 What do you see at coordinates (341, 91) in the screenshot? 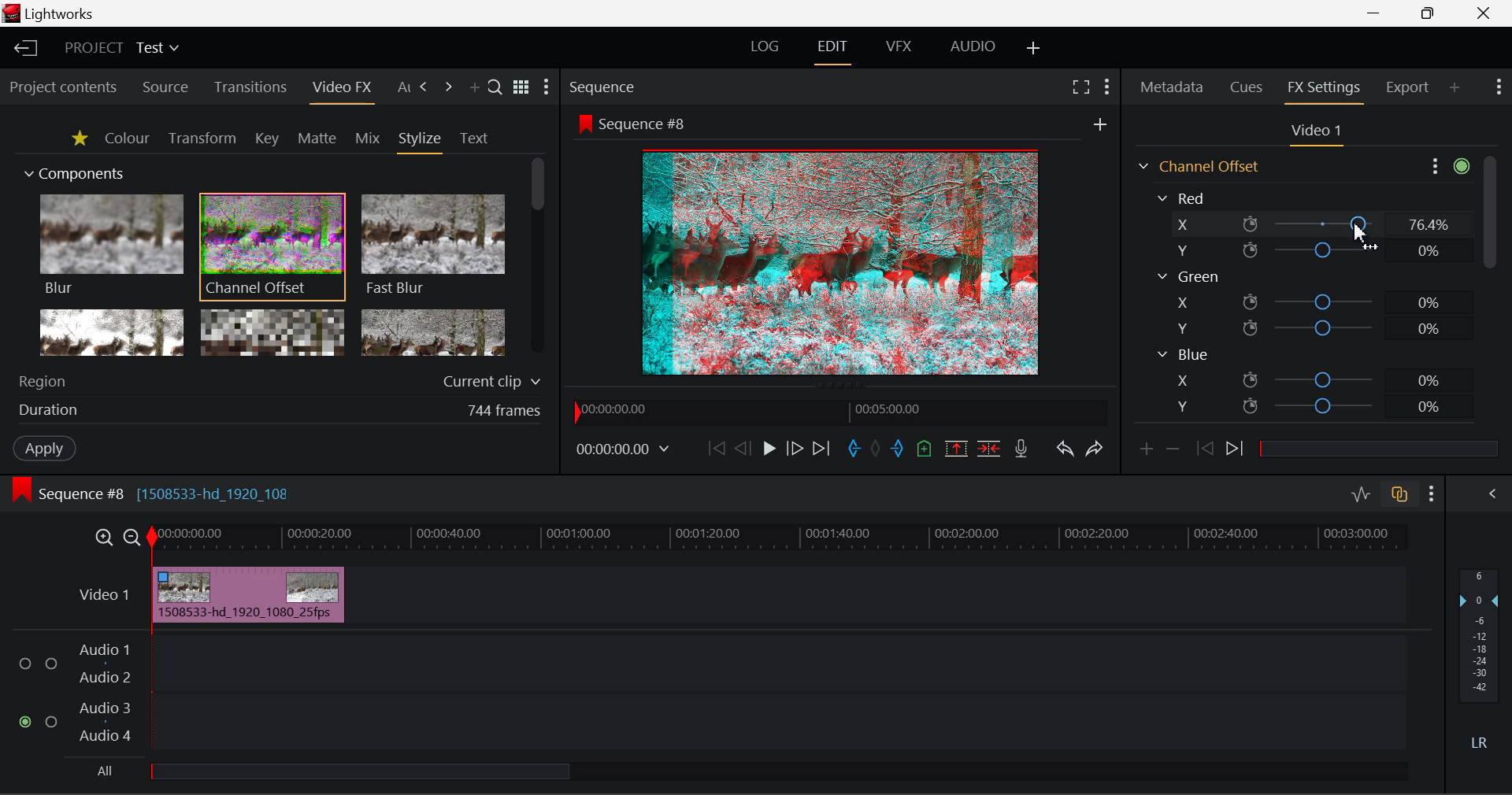
I see `Video FX` at bounding box center [341, 91].